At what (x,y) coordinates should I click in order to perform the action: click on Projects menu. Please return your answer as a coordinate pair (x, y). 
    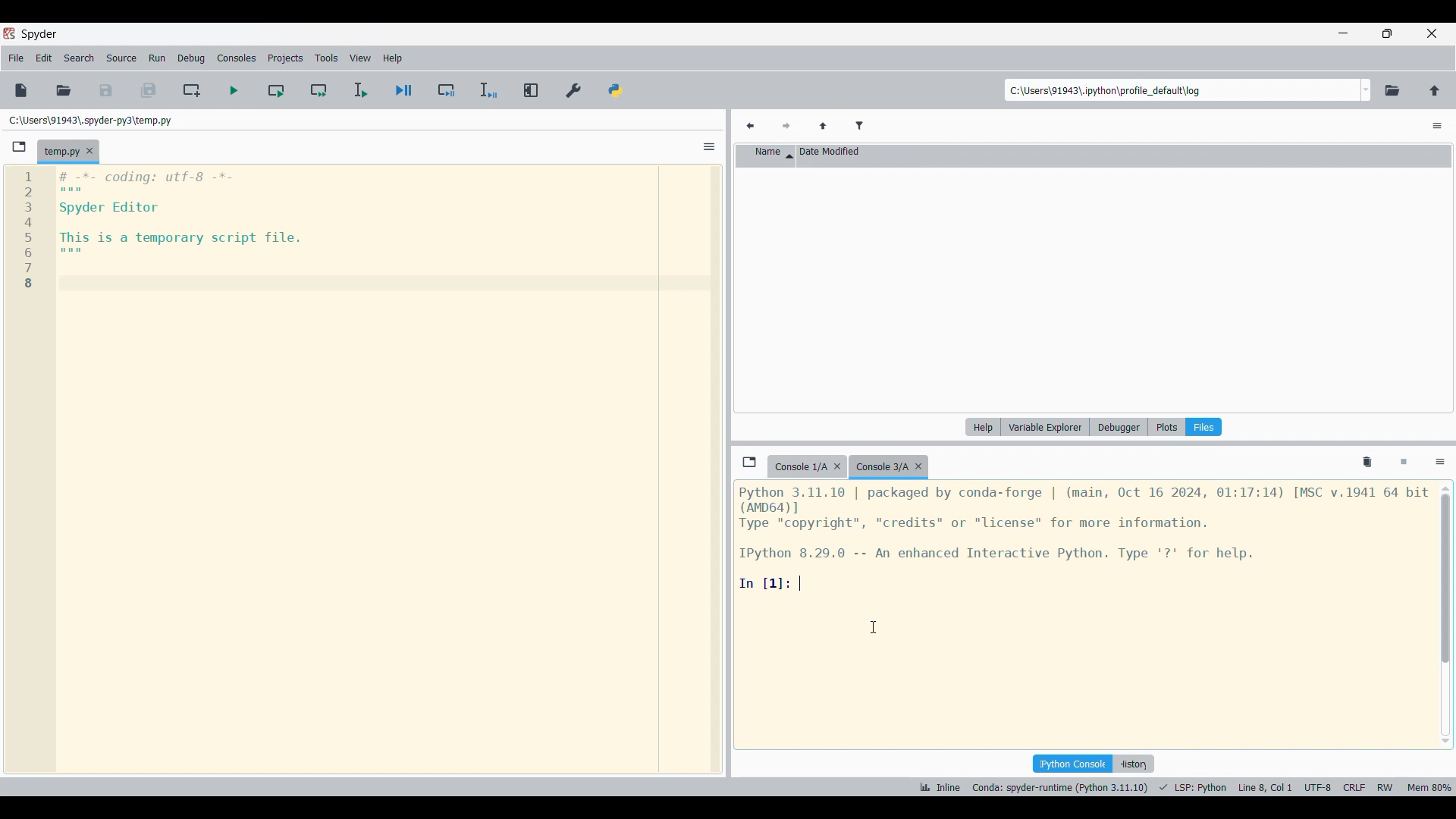
    Looking at the image, I should click on (285, 58).